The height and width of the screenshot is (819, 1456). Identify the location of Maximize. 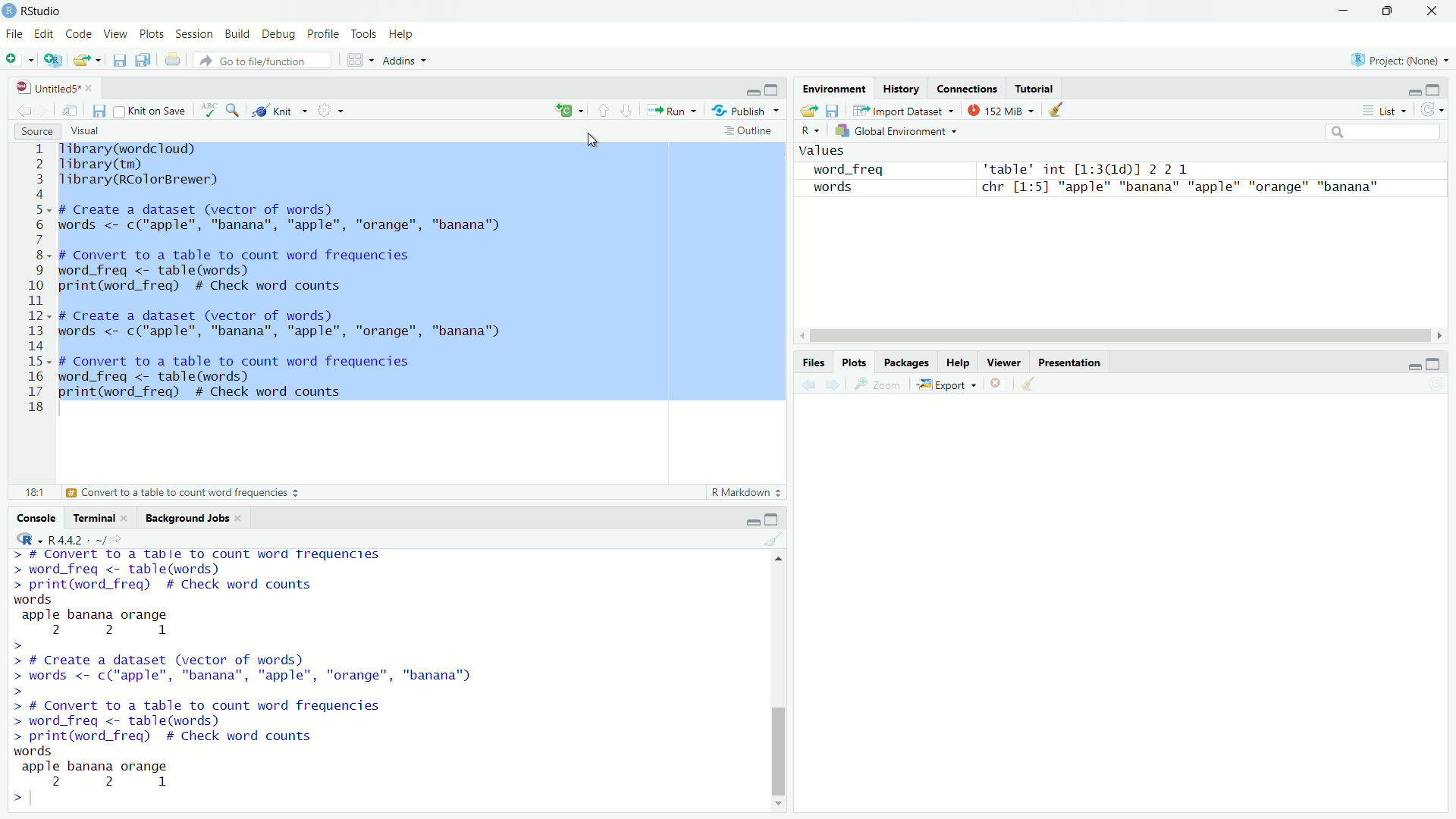
(1432, 364).